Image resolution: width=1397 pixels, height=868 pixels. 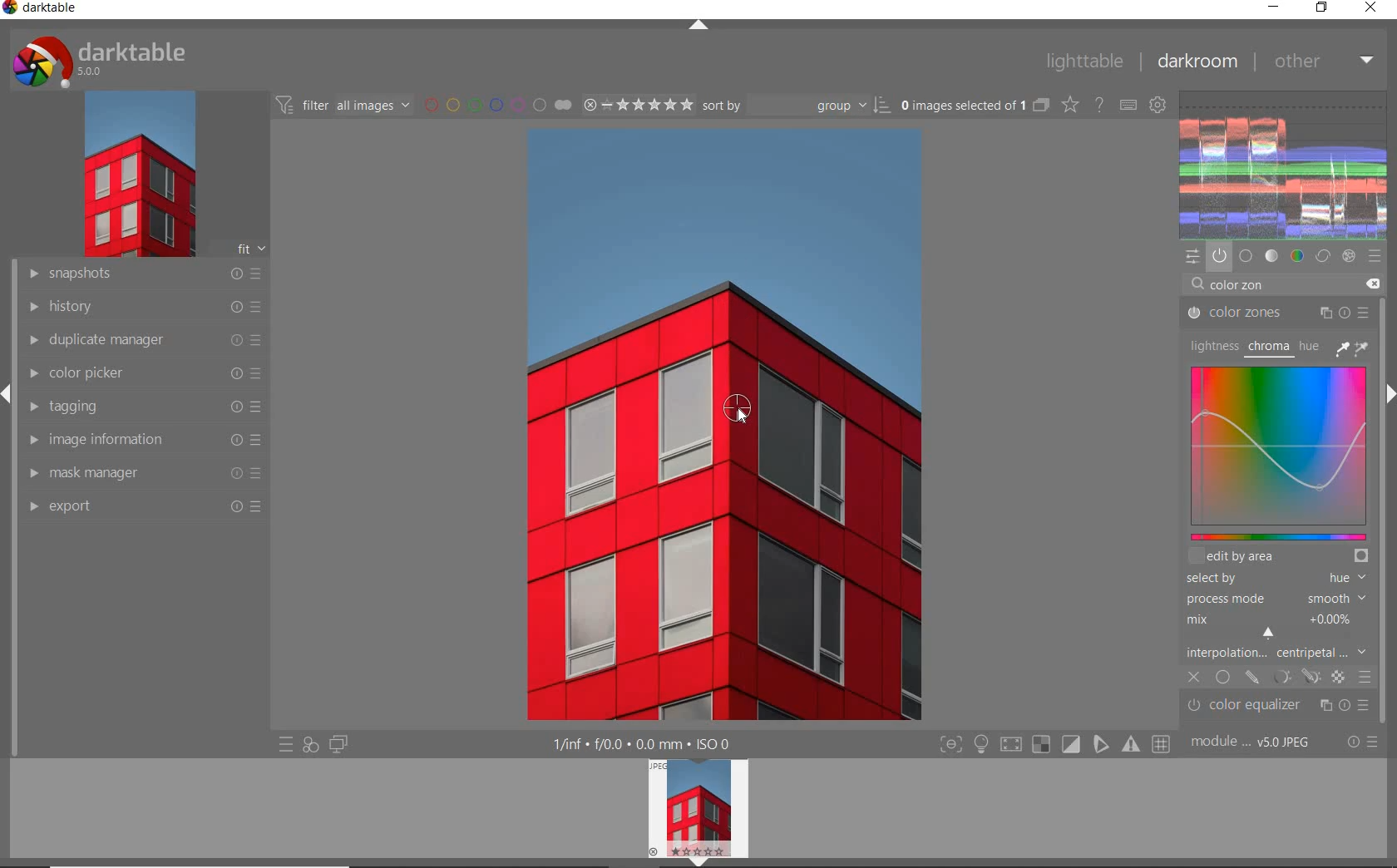 I want to click on display a second darkroom image widow, so click(x=338, y=742).